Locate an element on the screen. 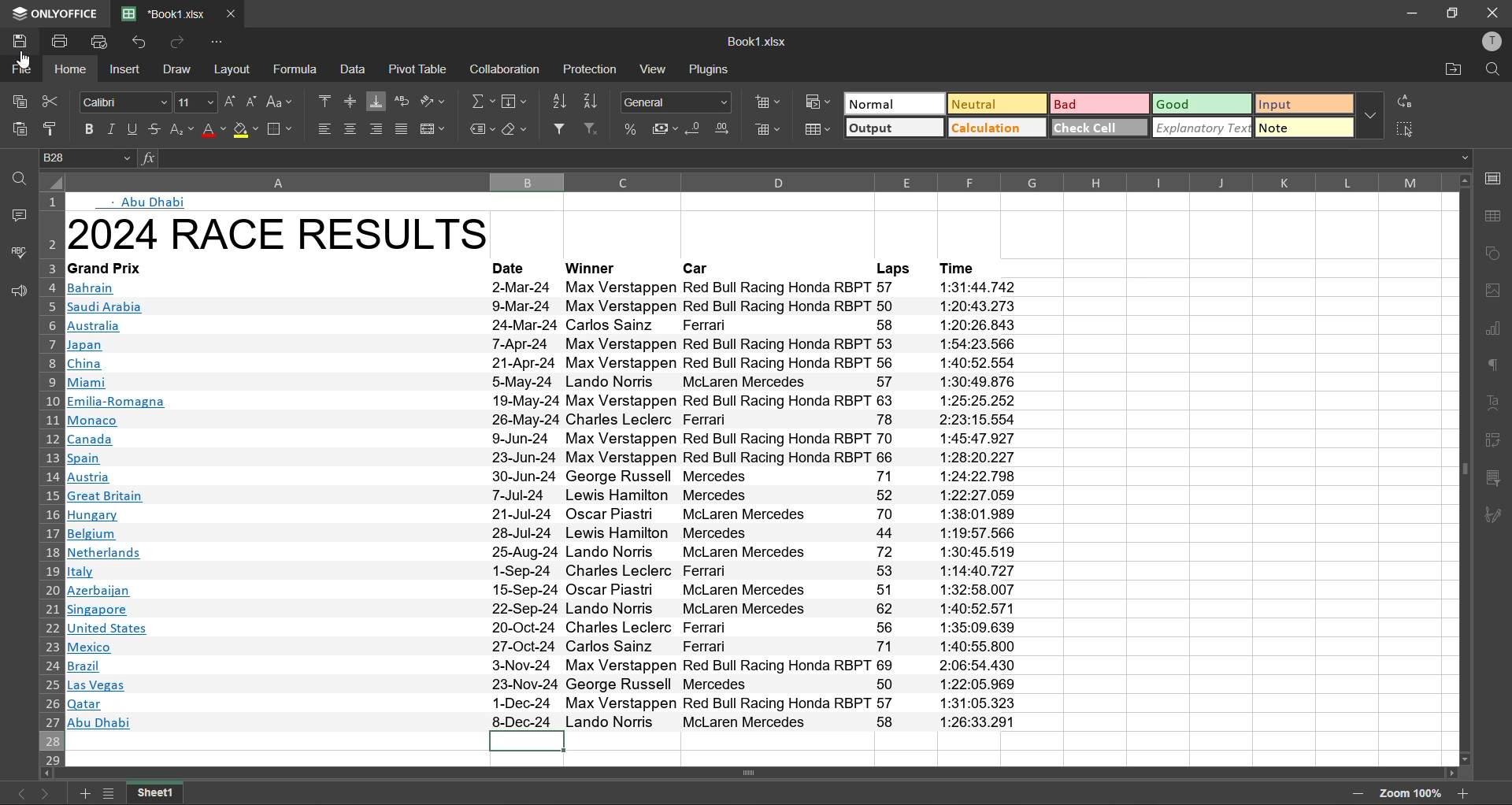 The height and width of the screenshot is (805, 1512). file name: Book1.xlsx is located at coordinates (165, 14).